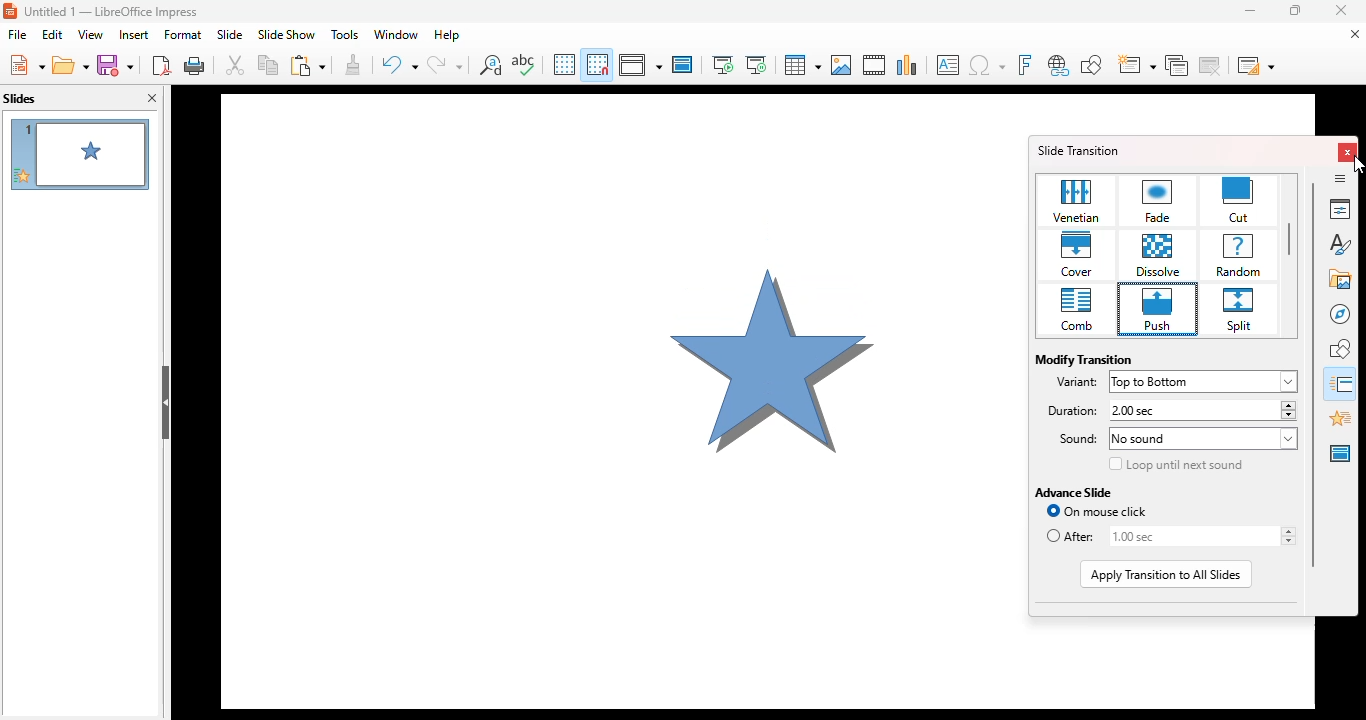 This screenshot has width=1366, height=720. I want to click on close document, so click(1355, 33).